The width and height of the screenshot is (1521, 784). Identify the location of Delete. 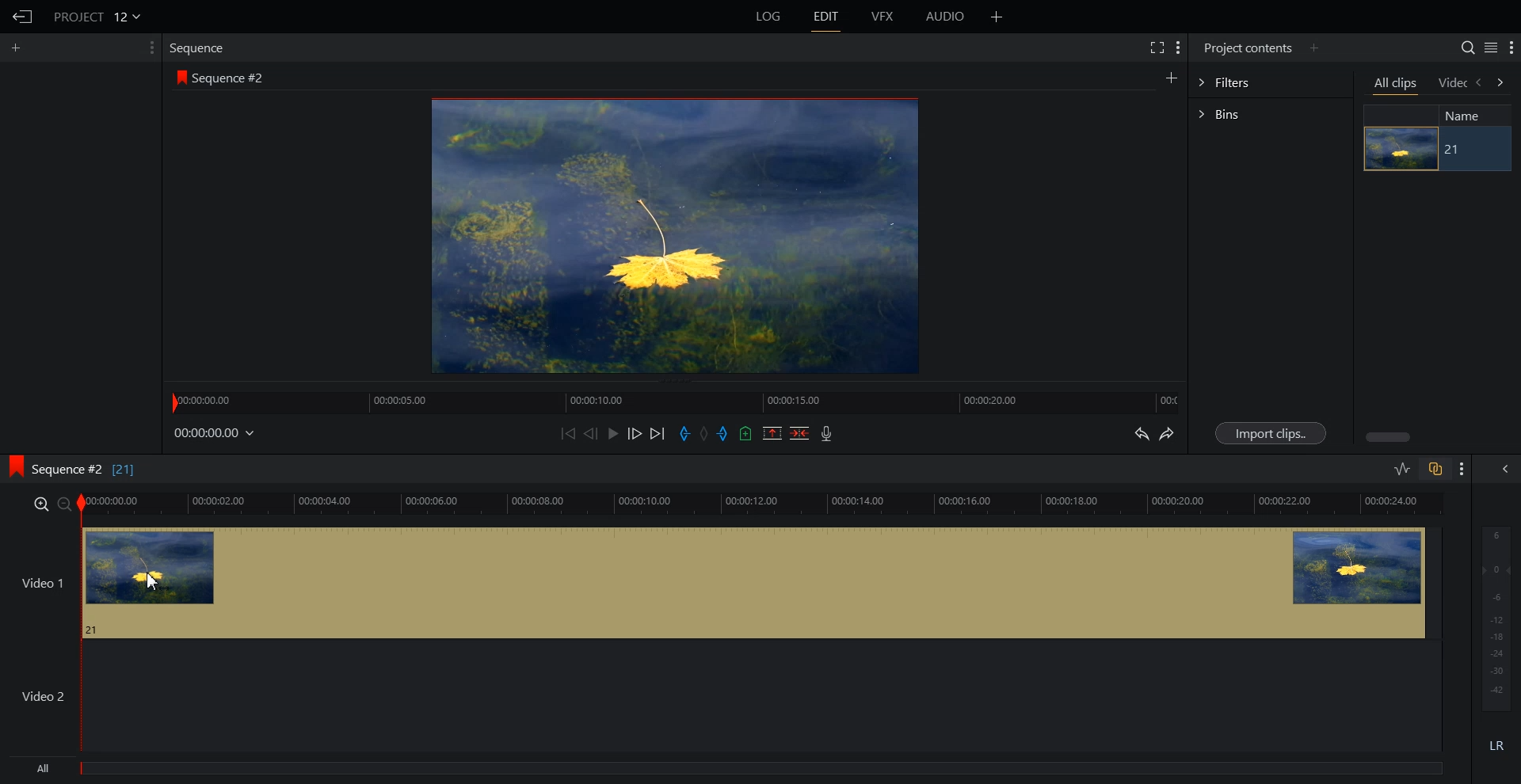
(799, 432).